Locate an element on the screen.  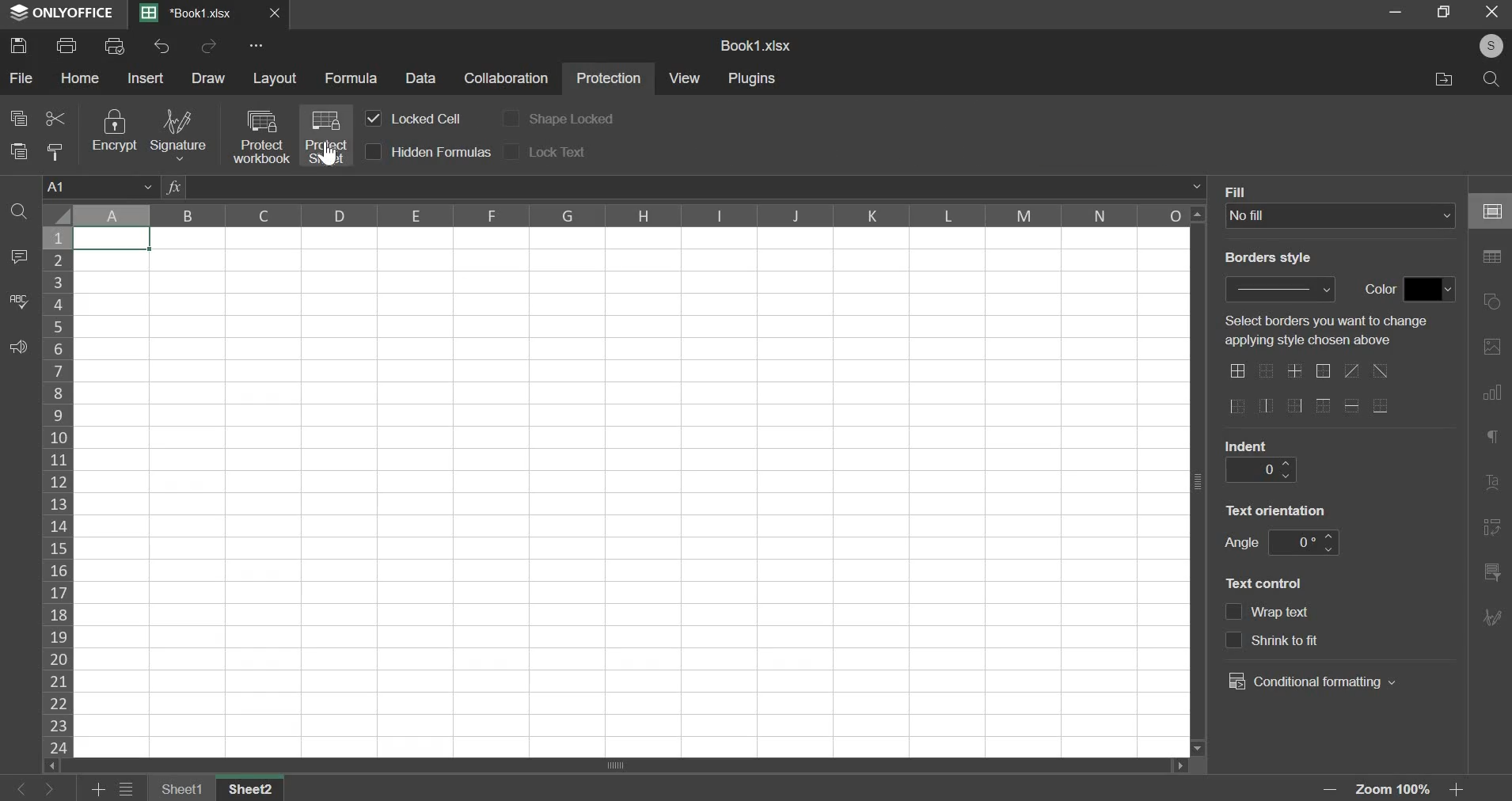
checkbox is located at coordinates (374, 119).